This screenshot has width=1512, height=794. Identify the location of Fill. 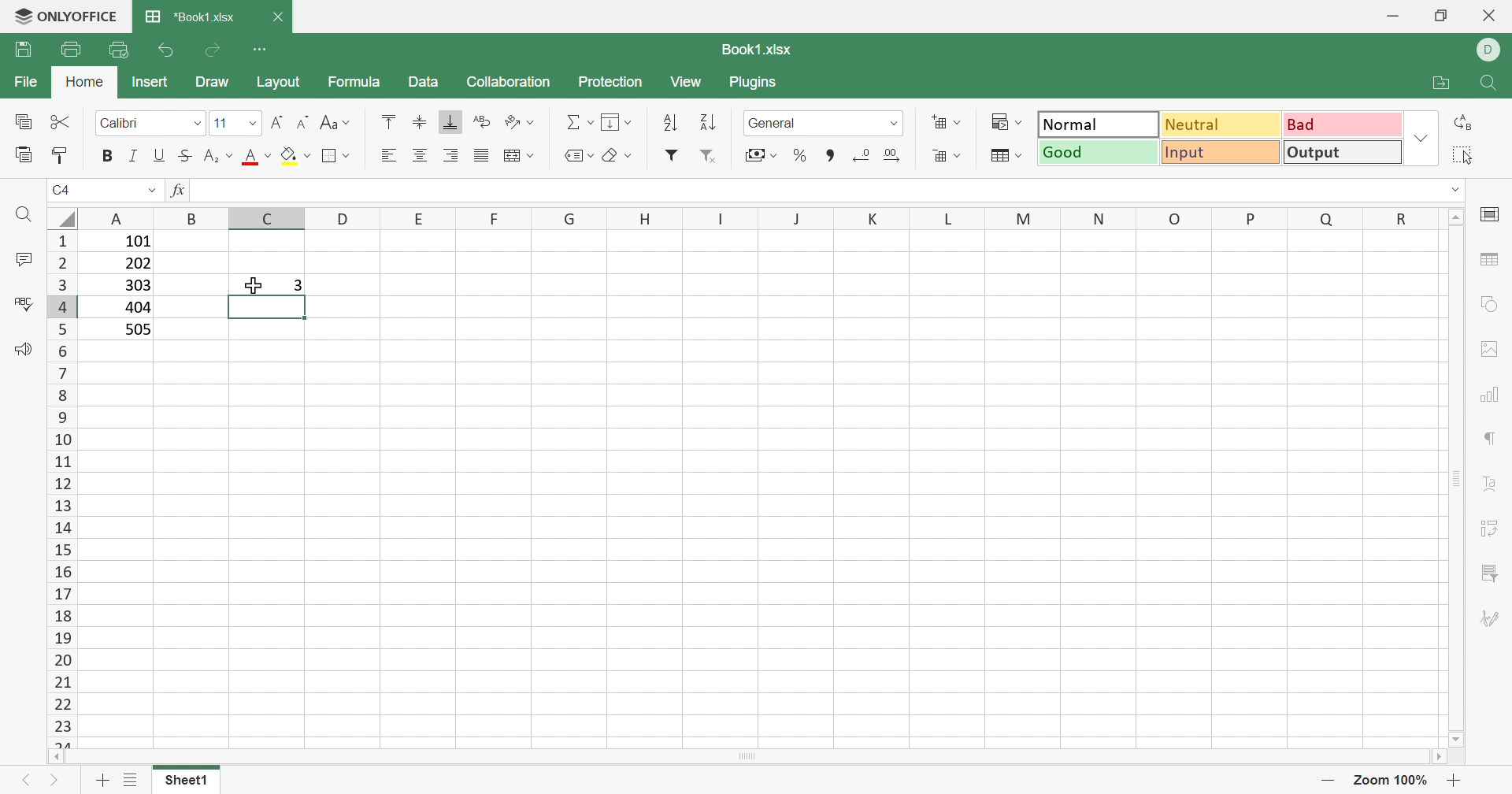
(295, 157).